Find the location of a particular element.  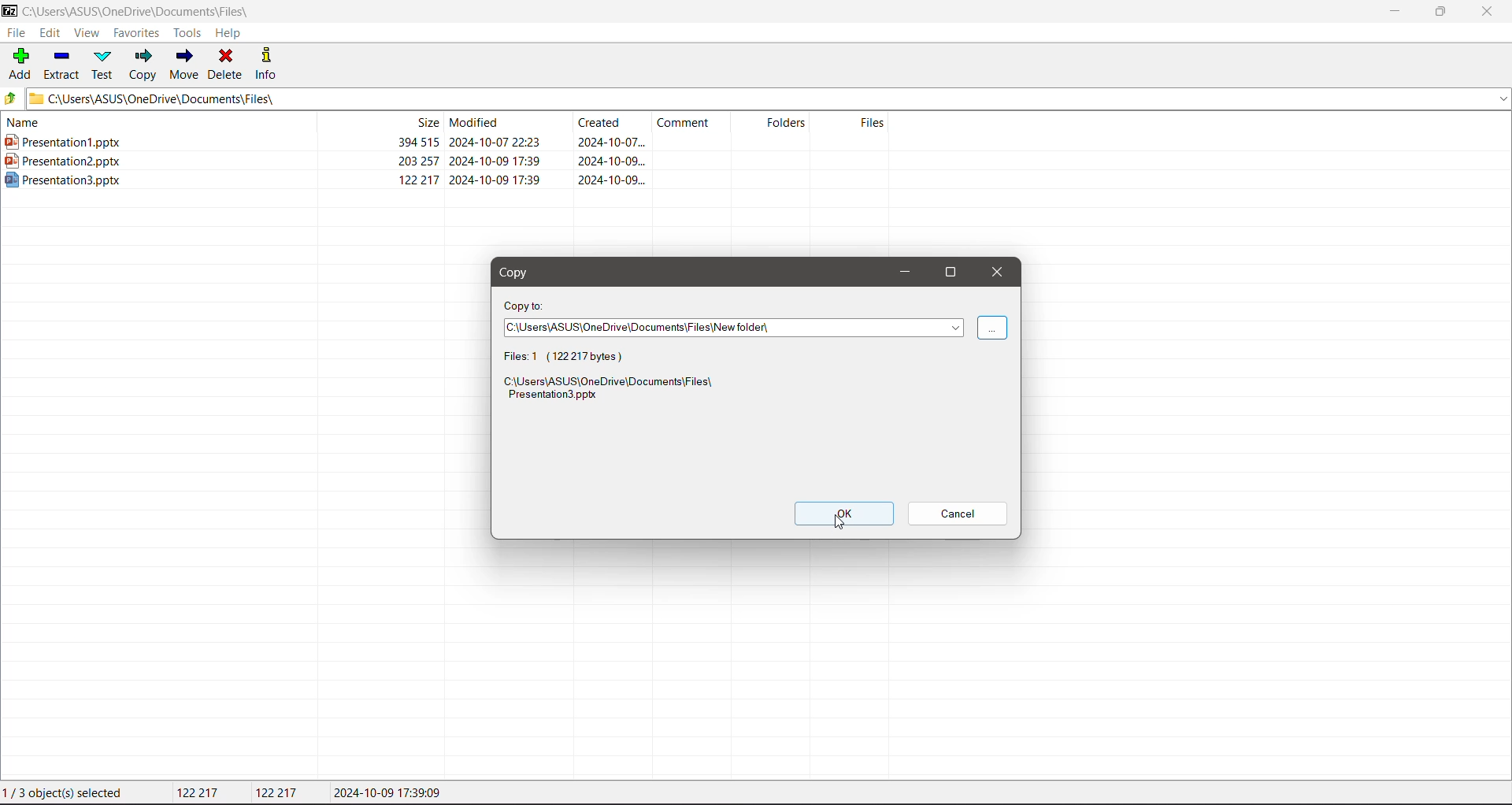

1/ 3 object(s) selected is located at coordinates (66, 794).